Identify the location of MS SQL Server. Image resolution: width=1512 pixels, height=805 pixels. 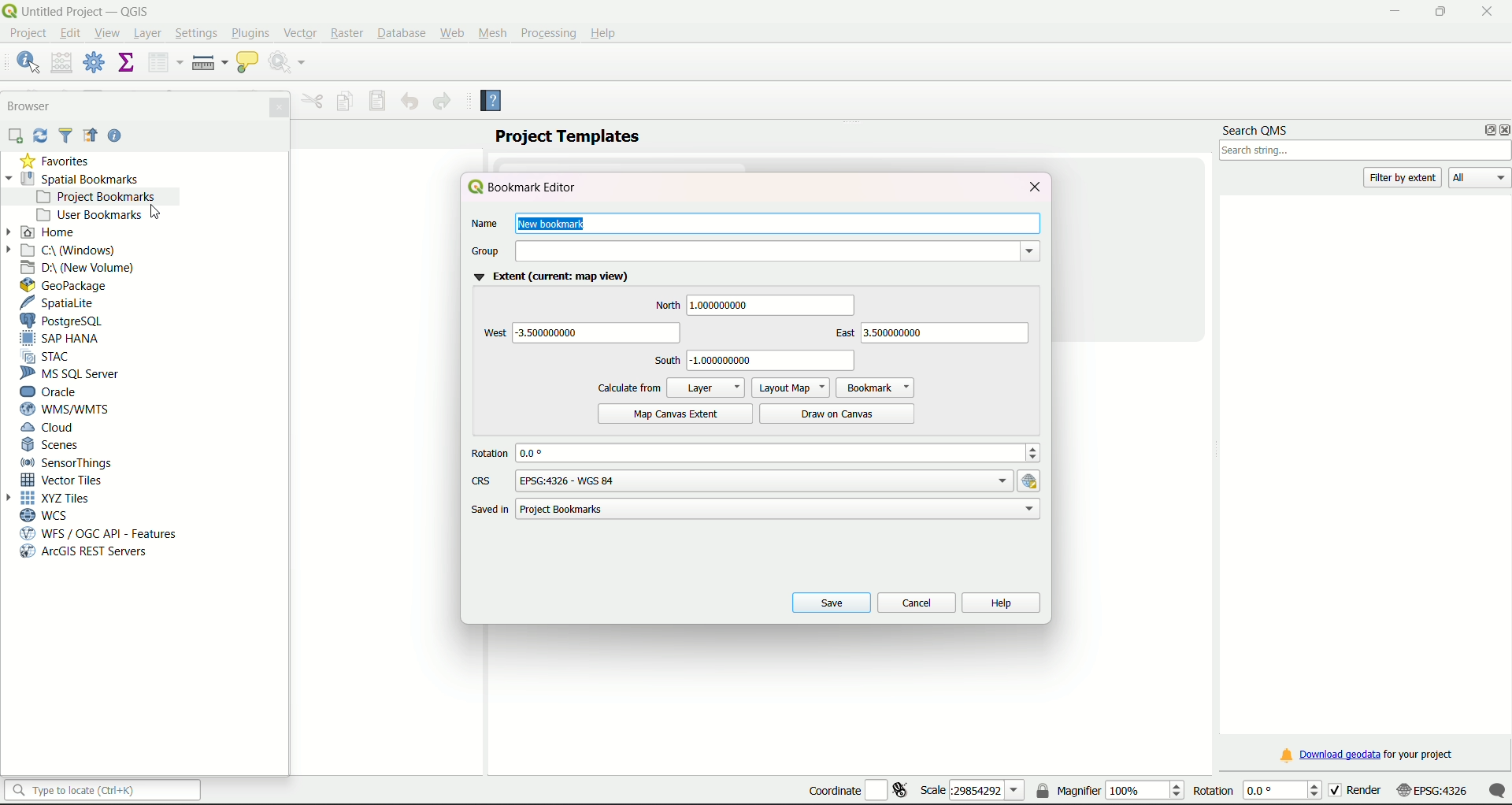
(72, 373).